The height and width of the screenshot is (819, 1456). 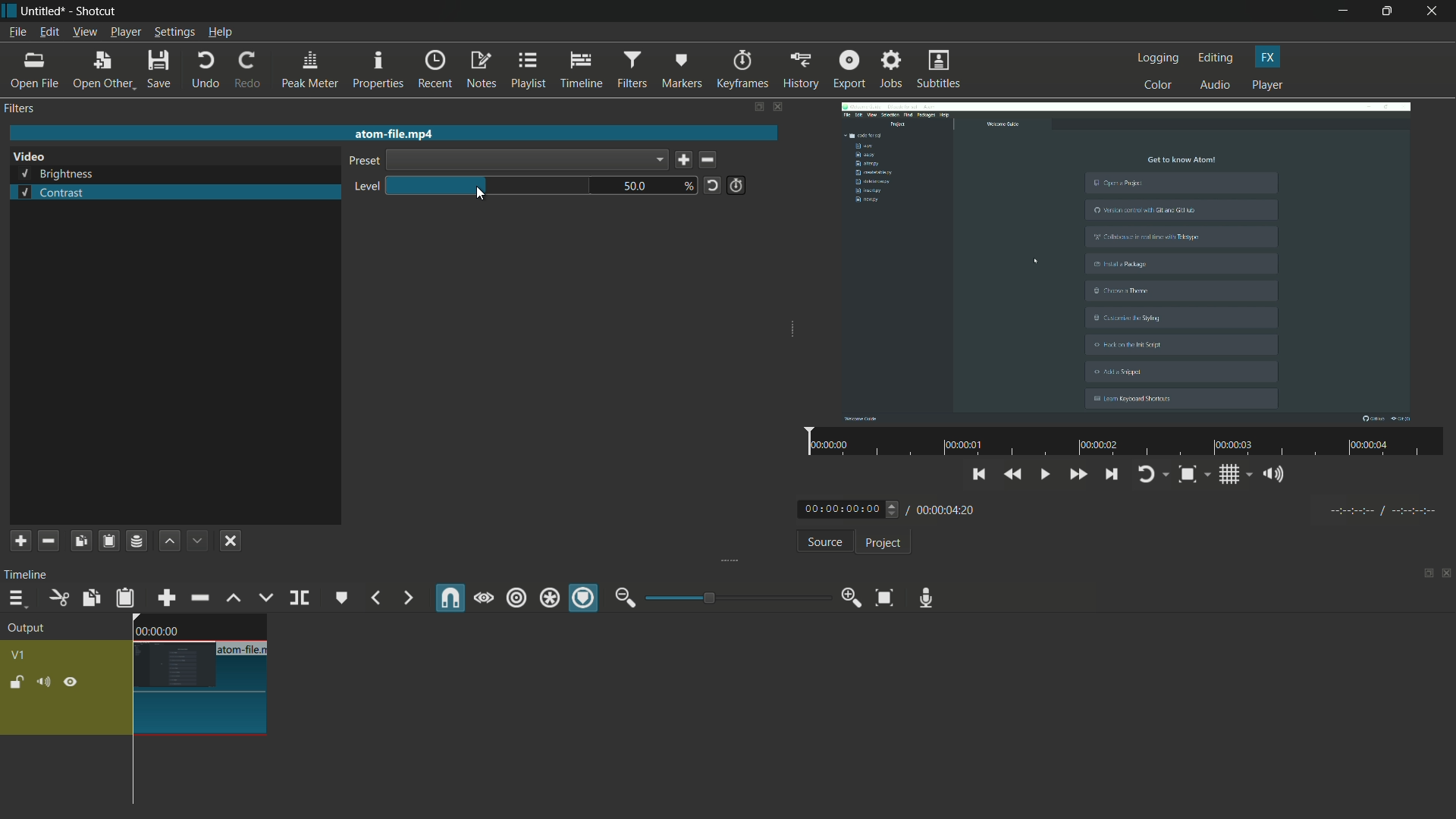 I want to click on delete, so click(x=711, y=161).